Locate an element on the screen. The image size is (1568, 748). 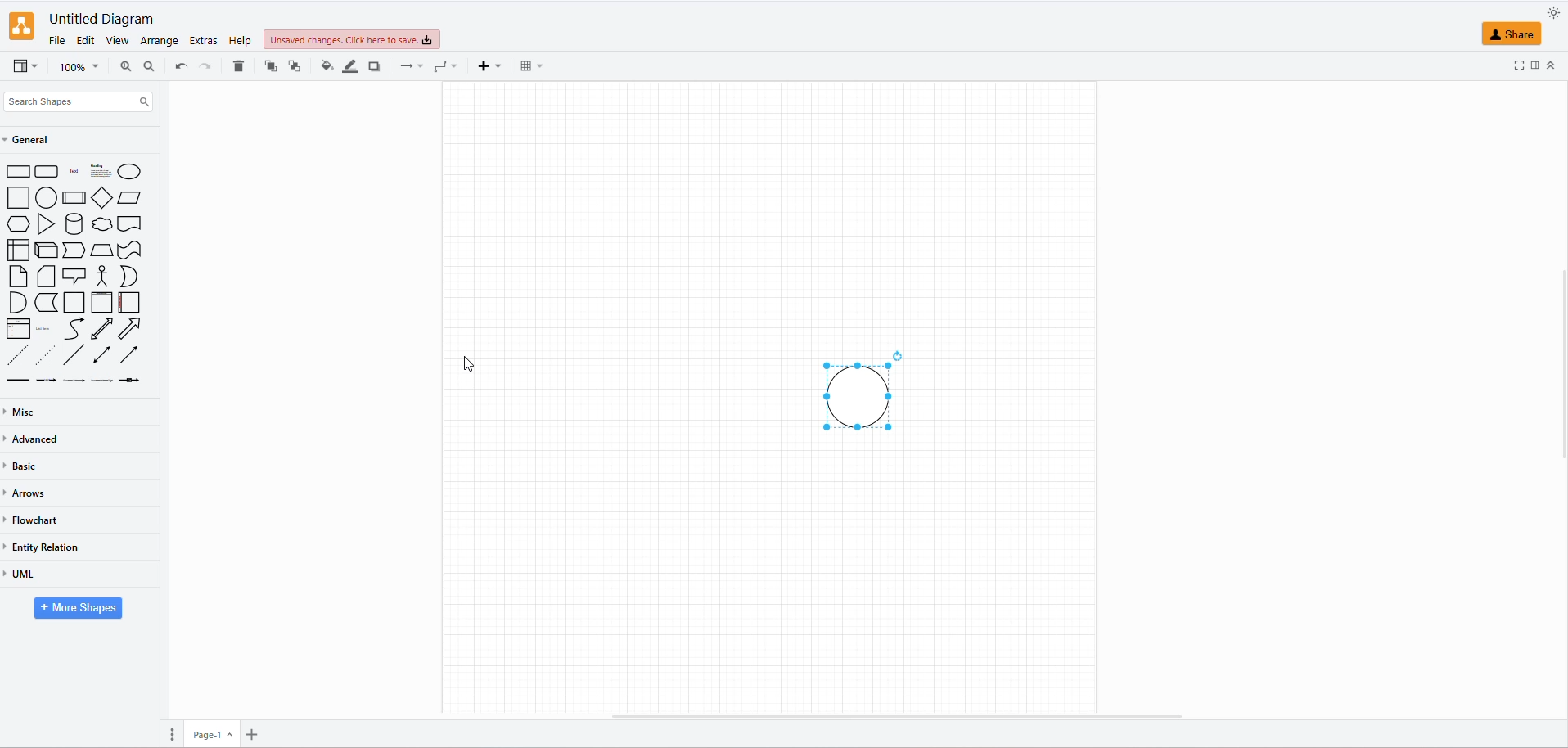
dotted line is located at coordinates (54, 382).